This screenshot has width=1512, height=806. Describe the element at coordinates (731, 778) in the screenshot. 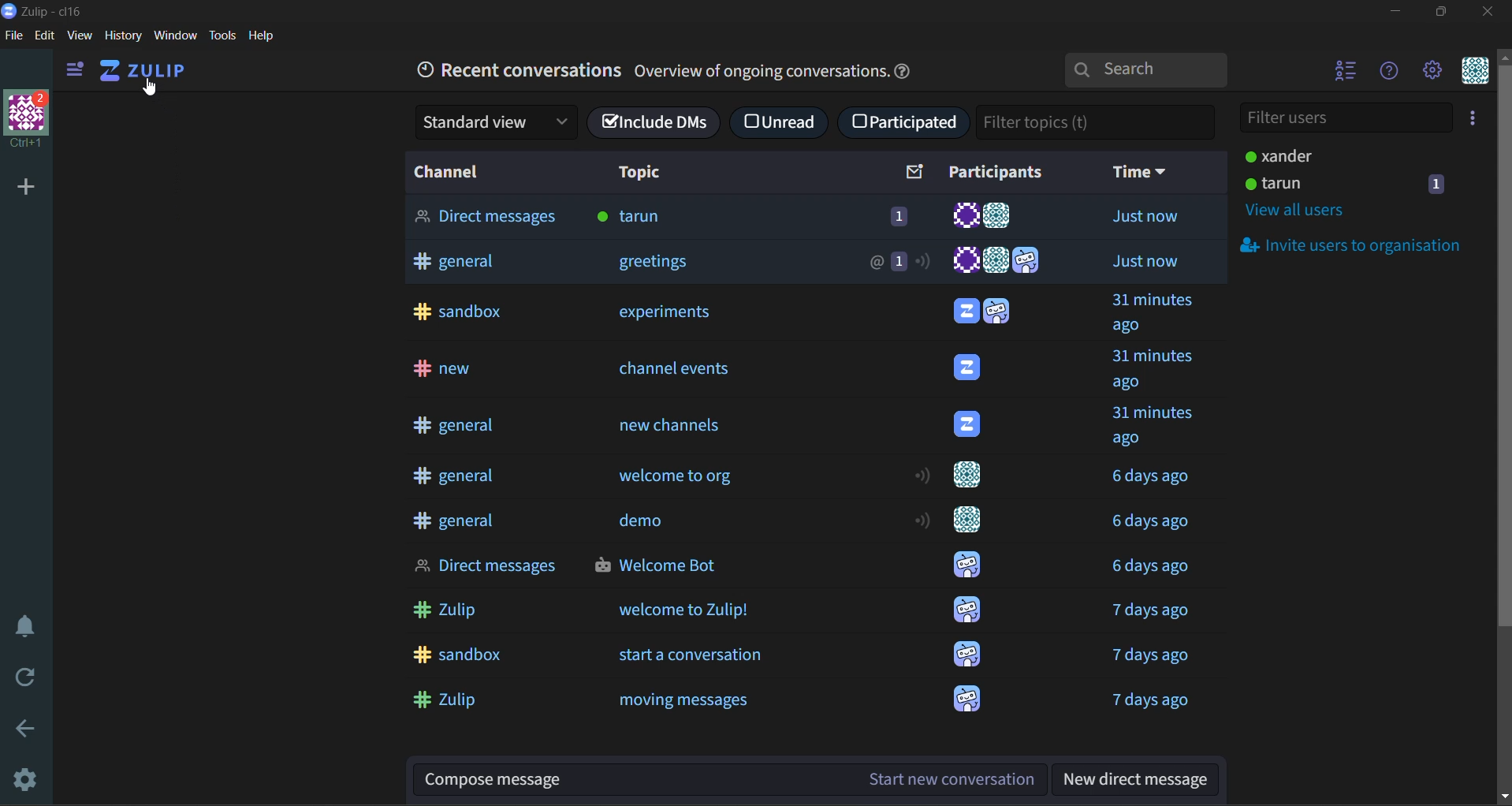

I see `compose message` at that location.